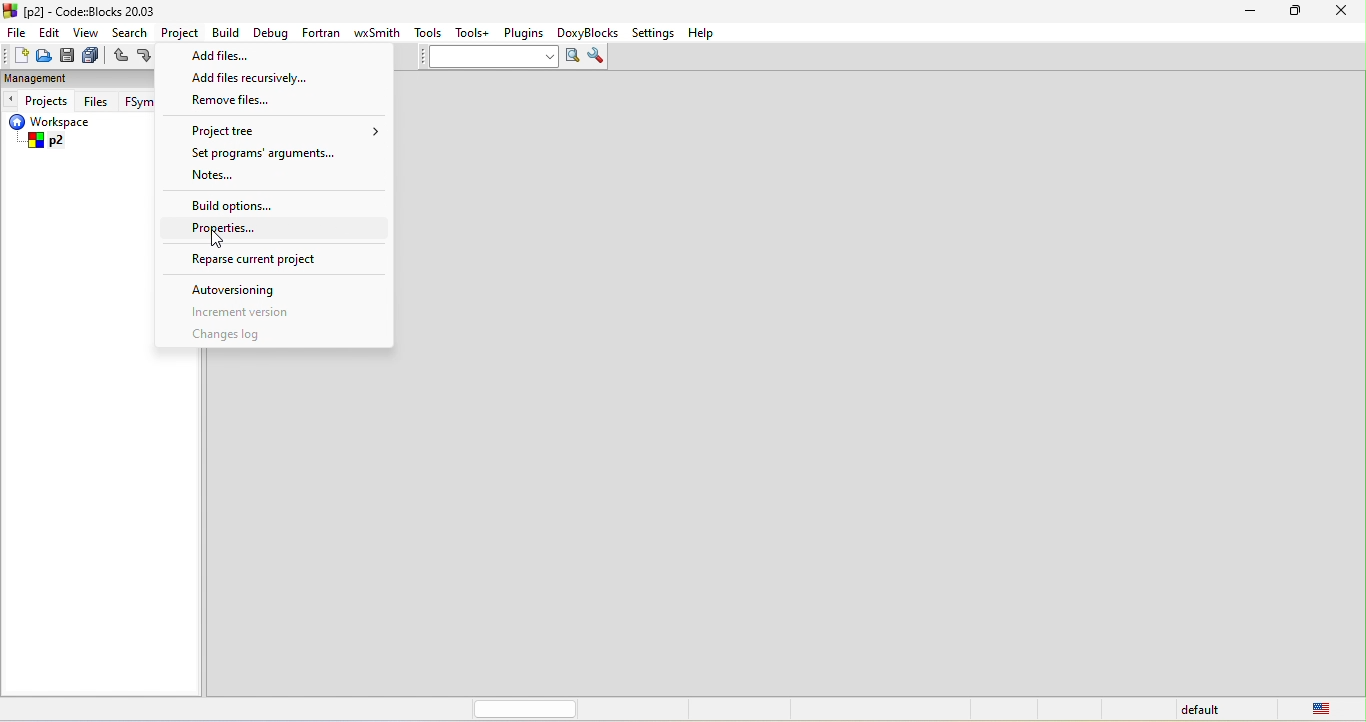 Image resolution: width=1366 pixels, height=722 pixels. What do you see at coordinates (324, 34) in the screenshot?
I see `fortran` at bounding box center [324, 34].